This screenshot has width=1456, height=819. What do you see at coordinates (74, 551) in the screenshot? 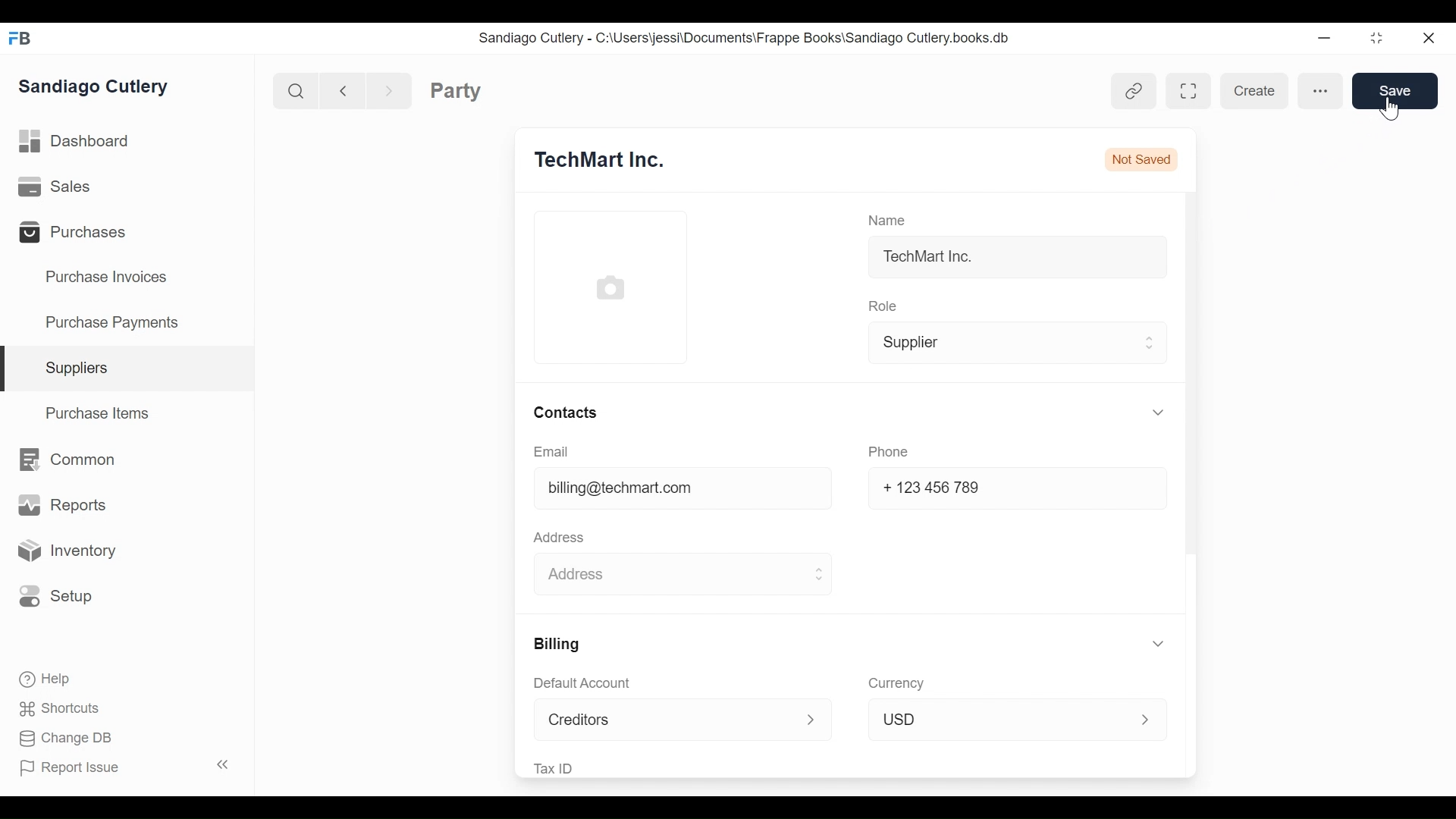
I see `Inventory` at bounding box center [74, 551].